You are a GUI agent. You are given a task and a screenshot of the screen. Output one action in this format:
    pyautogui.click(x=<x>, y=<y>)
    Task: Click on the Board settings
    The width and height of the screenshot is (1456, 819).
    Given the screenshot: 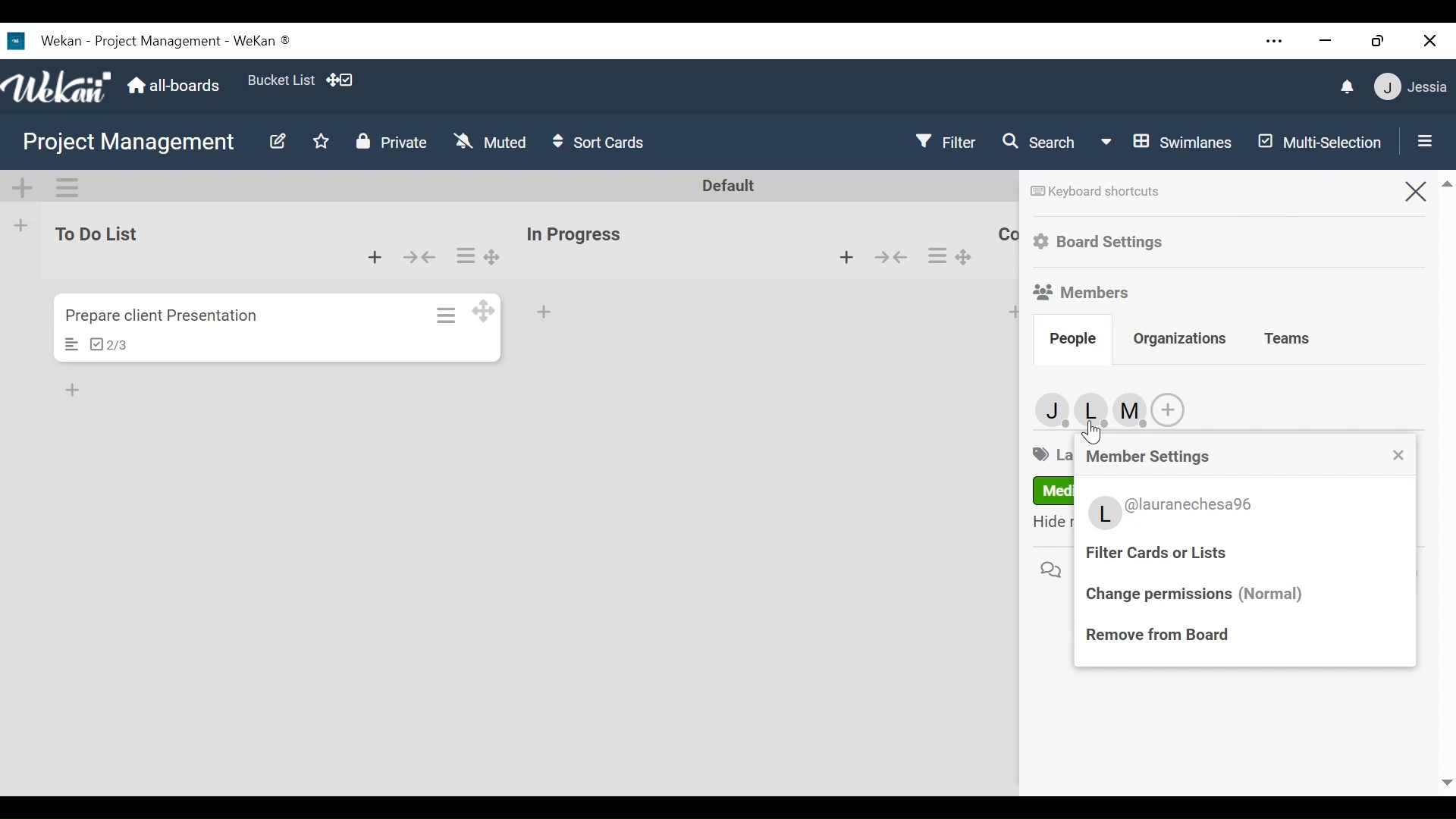 What is the action you would take?
    pyautogui.click(x=1103, y=242)
    